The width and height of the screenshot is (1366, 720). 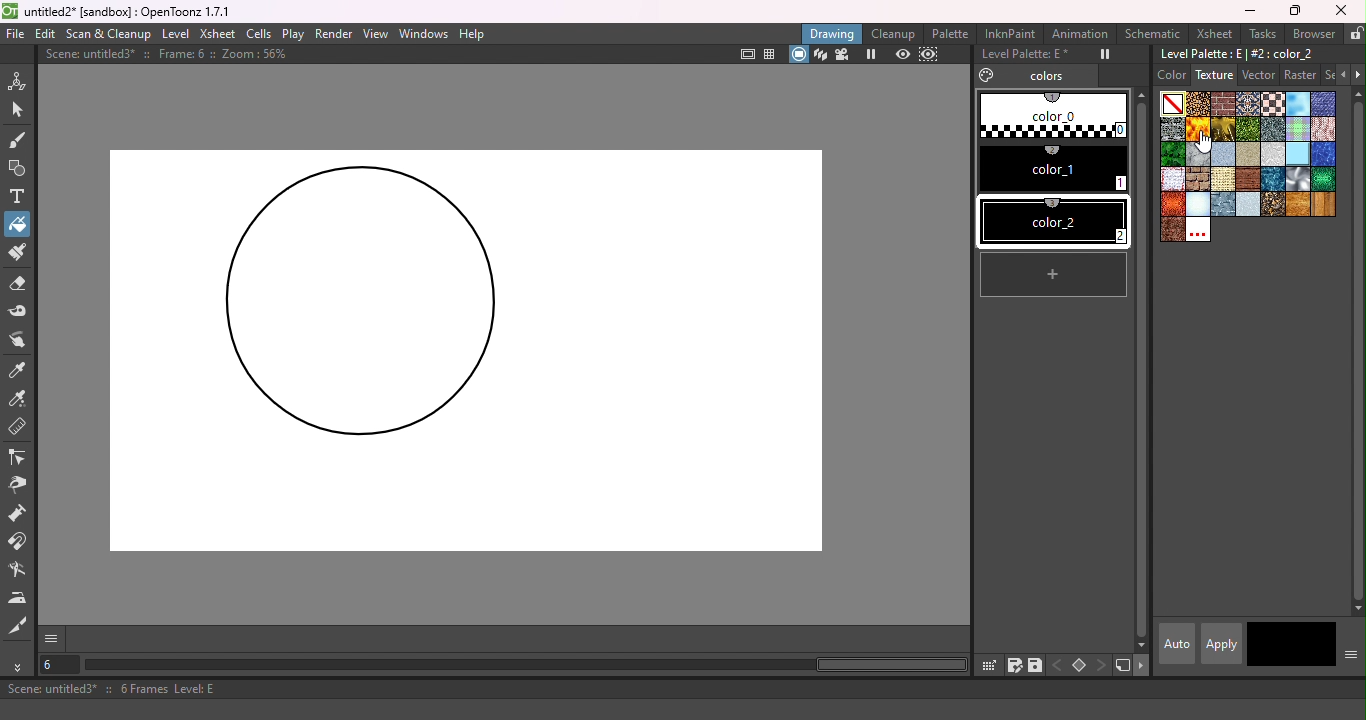 What do you see at coordinates (46, 34) in the screenshot?
I see `Edit` at bounding box center [46, 34].